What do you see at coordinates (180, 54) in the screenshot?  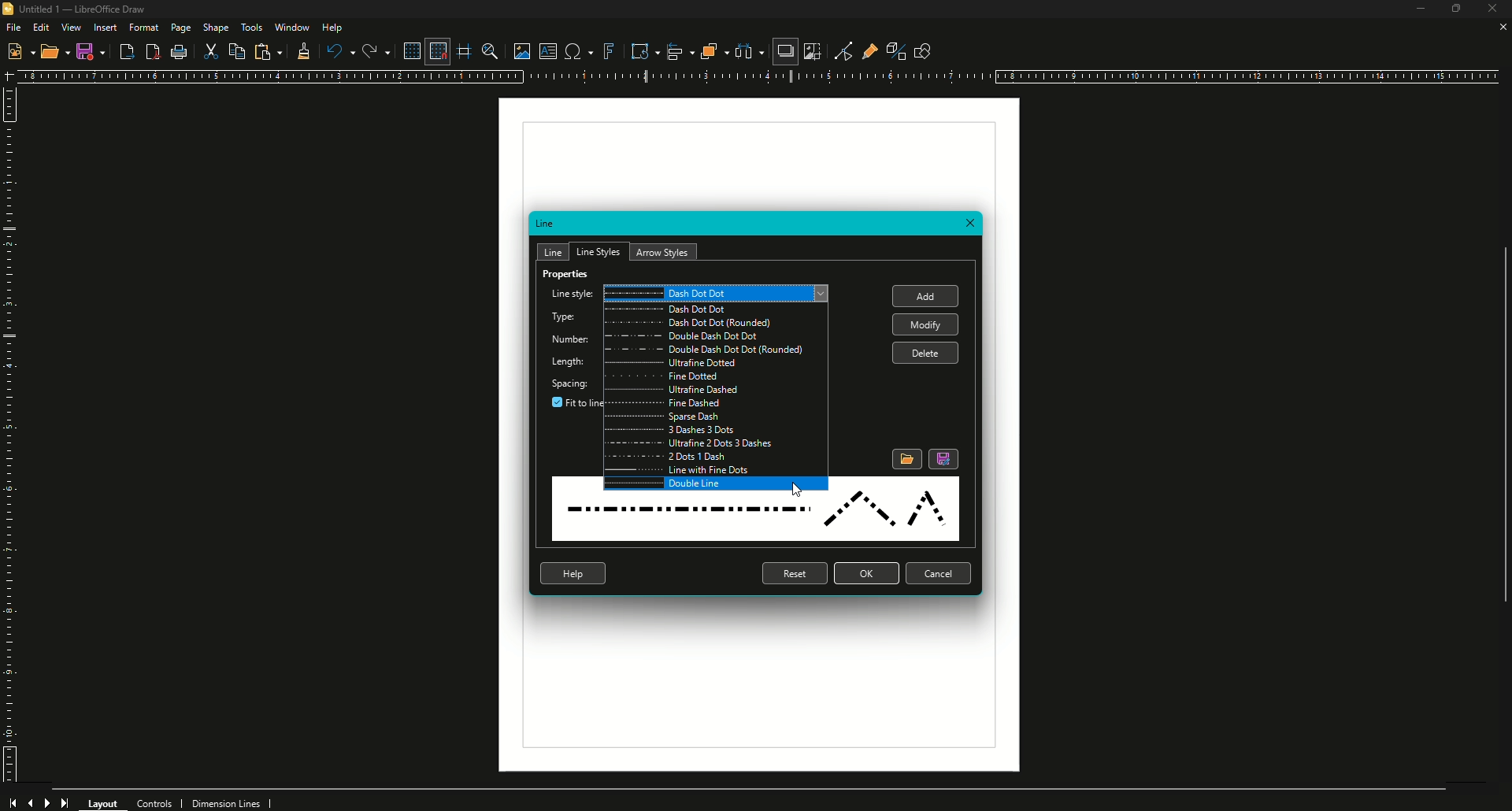 I see `Print` at bounding box center [180, 54].